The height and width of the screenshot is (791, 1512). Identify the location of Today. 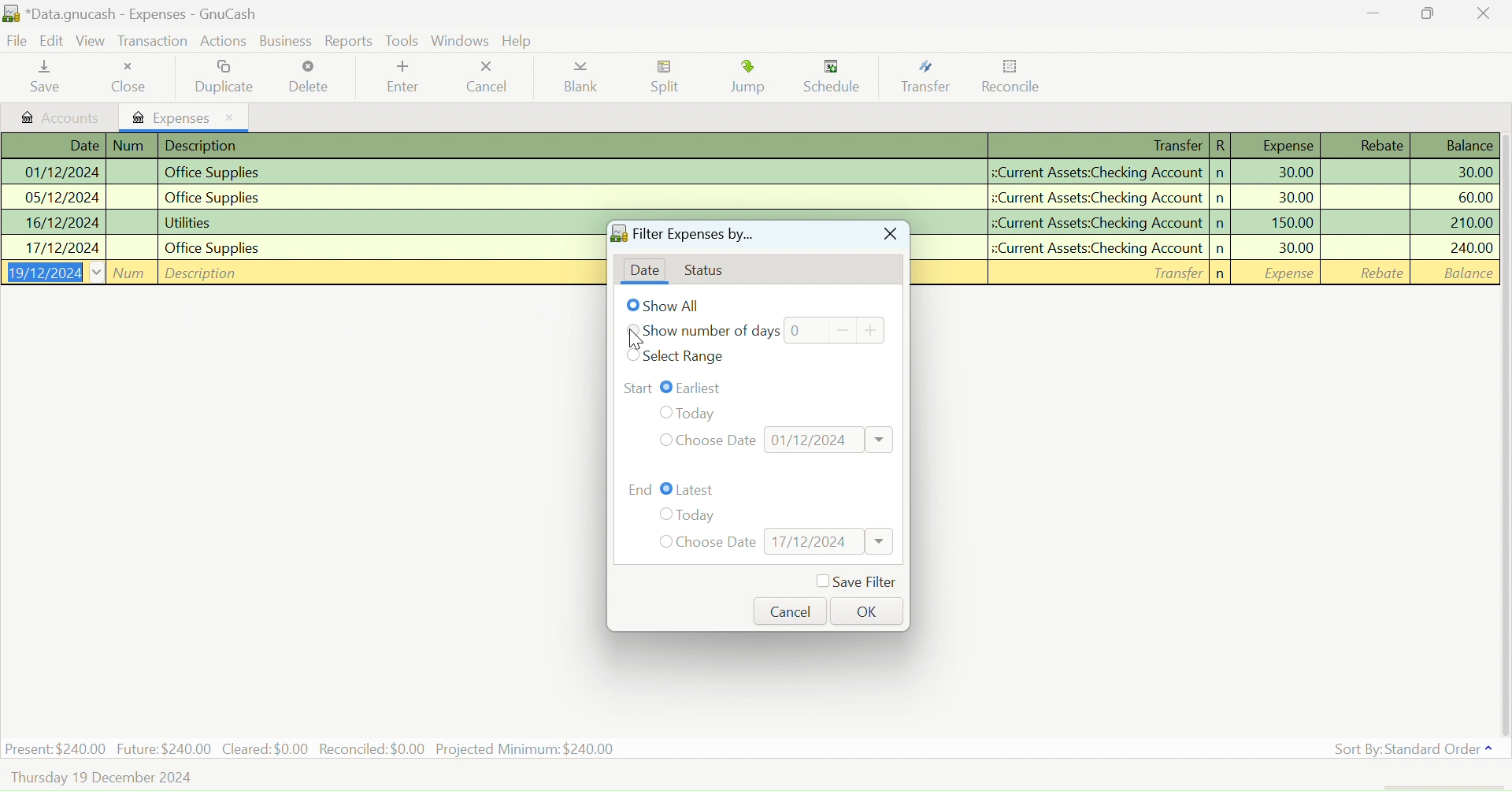
(710, 410).